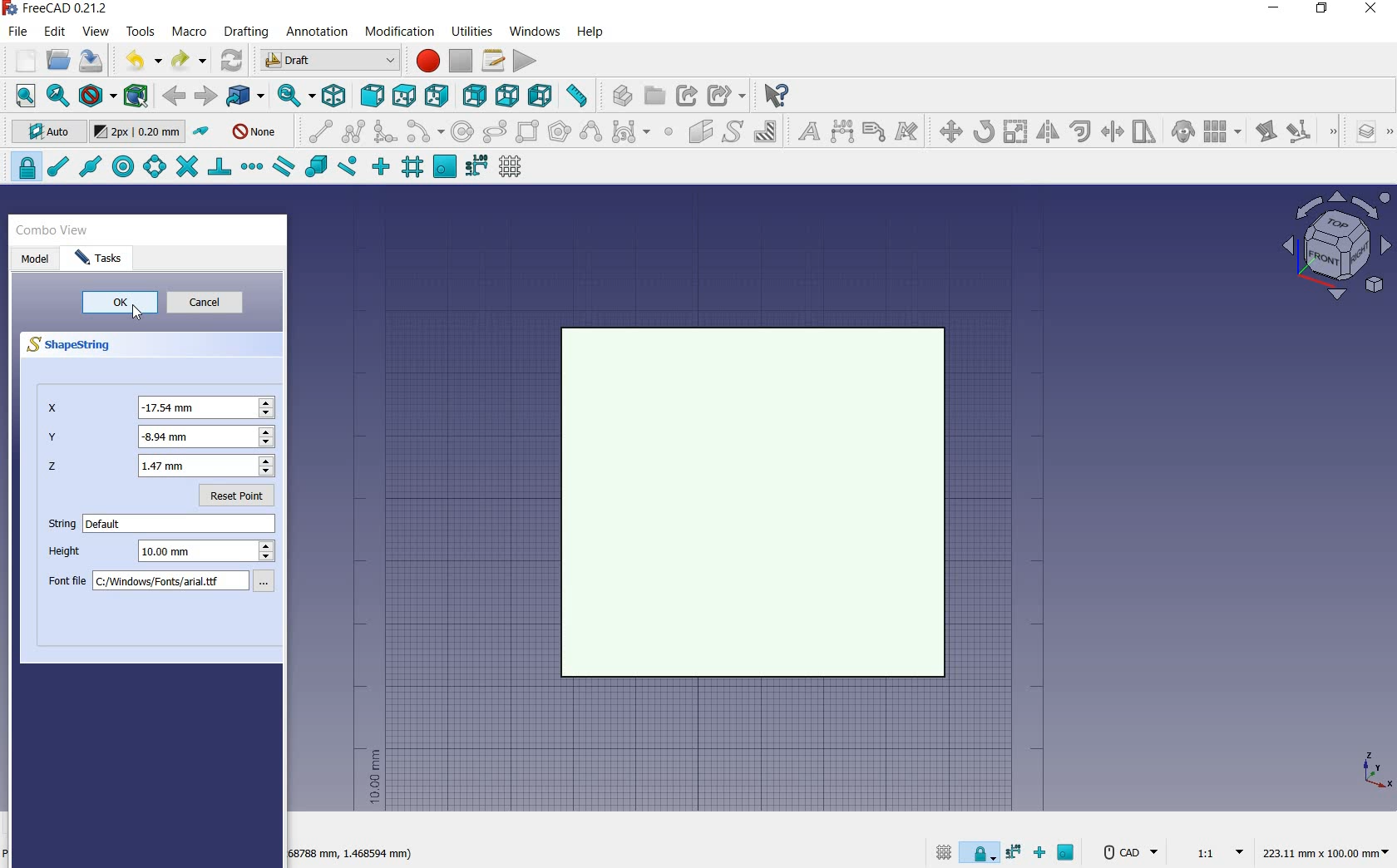  I want to click on snap perpendicullar, so click(219, 166).